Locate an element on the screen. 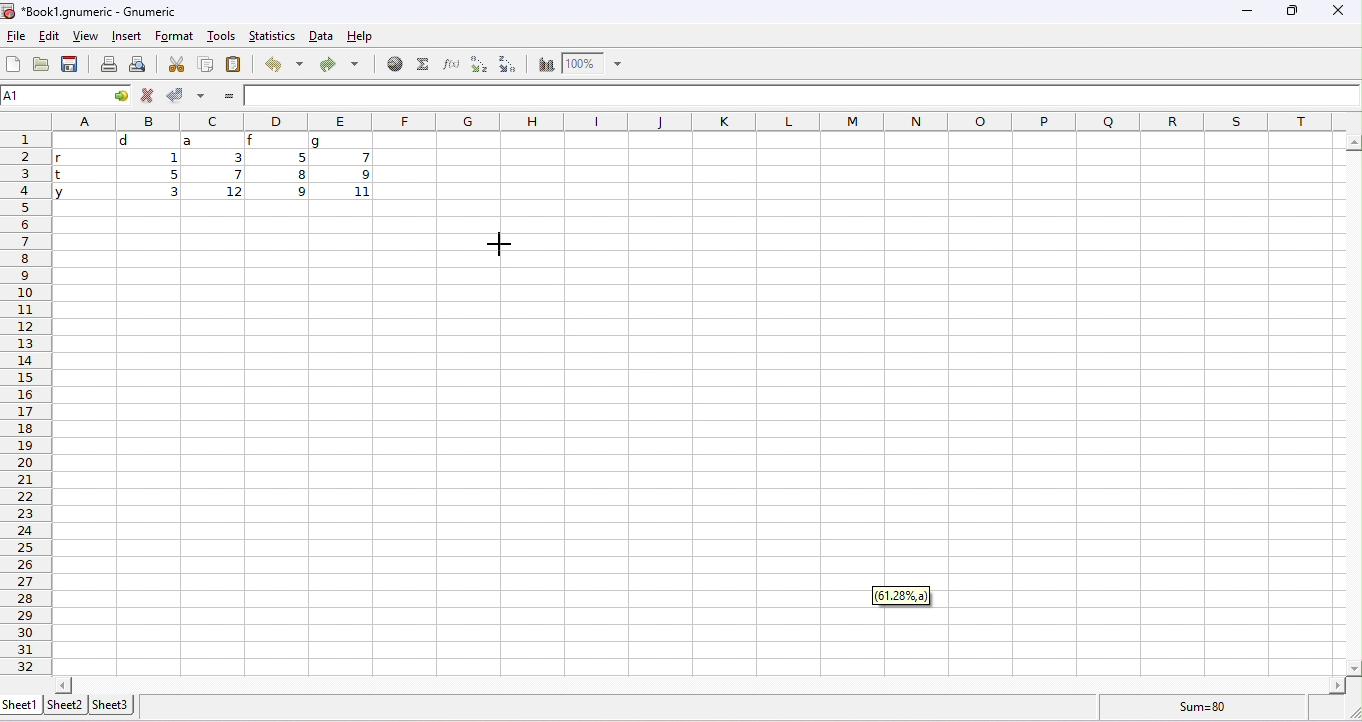 This screenshot has width=1362, height=722. statistics is located at coordinates (272, 35).